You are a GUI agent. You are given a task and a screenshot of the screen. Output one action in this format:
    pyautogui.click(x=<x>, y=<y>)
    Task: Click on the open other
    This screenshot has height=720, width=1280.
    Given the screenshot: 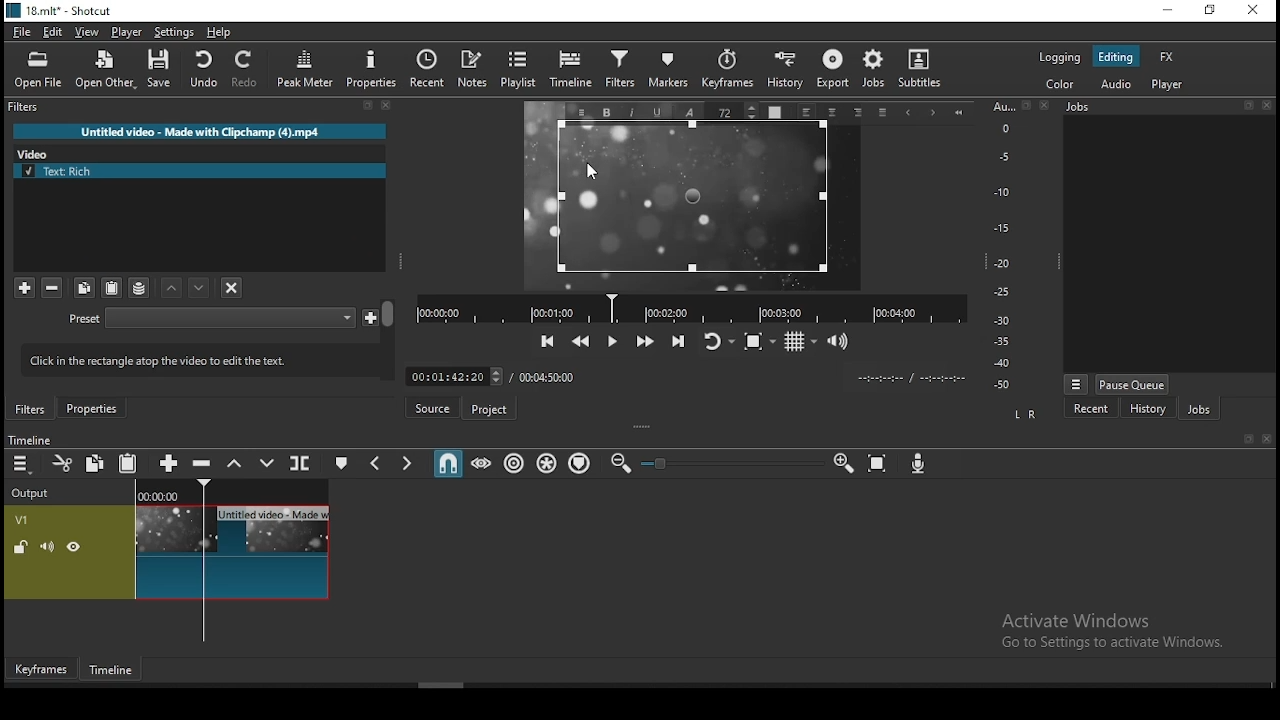 What is the action you would take?
    pyautogui.click(x=104, y=70)
    